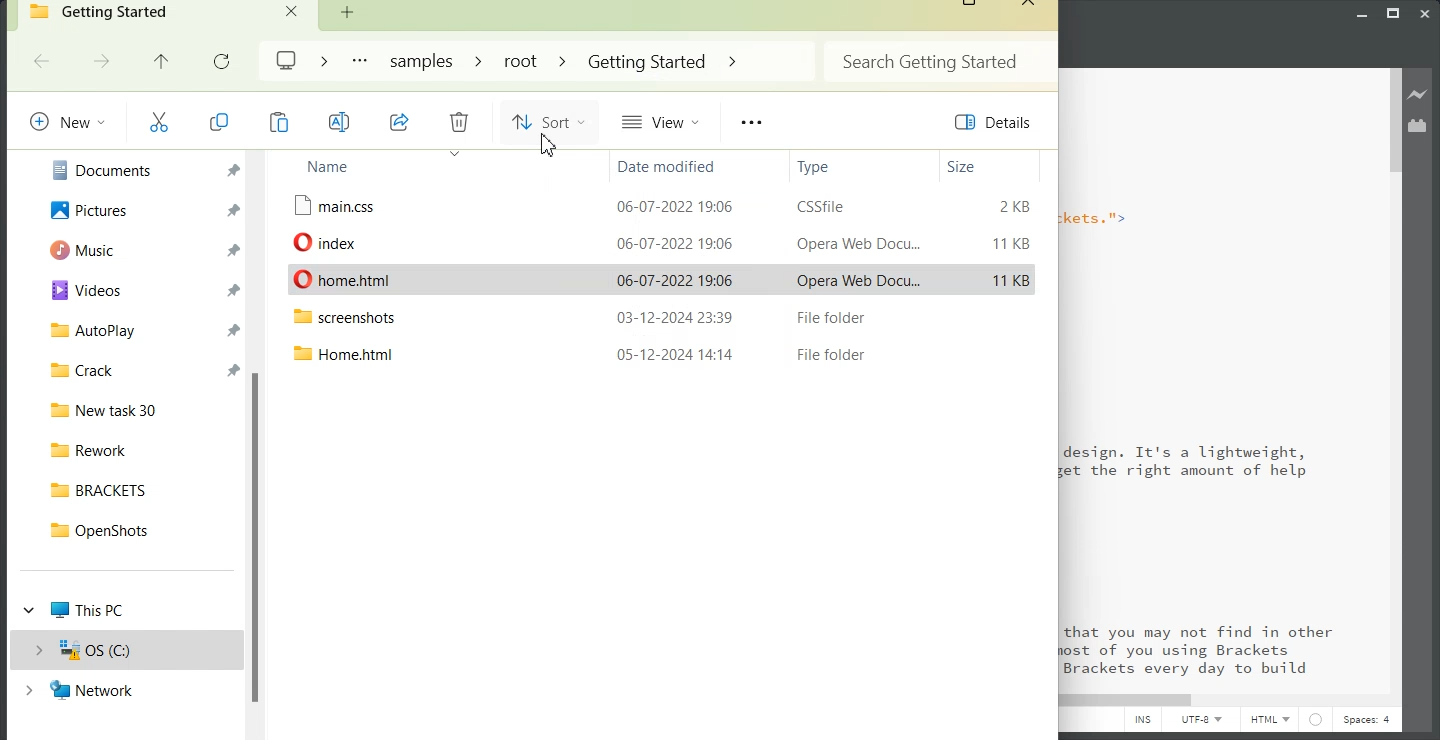  Describe the element at coordinates (1369, 722) in the screenshot. I see `Spaces: 4` at that location.